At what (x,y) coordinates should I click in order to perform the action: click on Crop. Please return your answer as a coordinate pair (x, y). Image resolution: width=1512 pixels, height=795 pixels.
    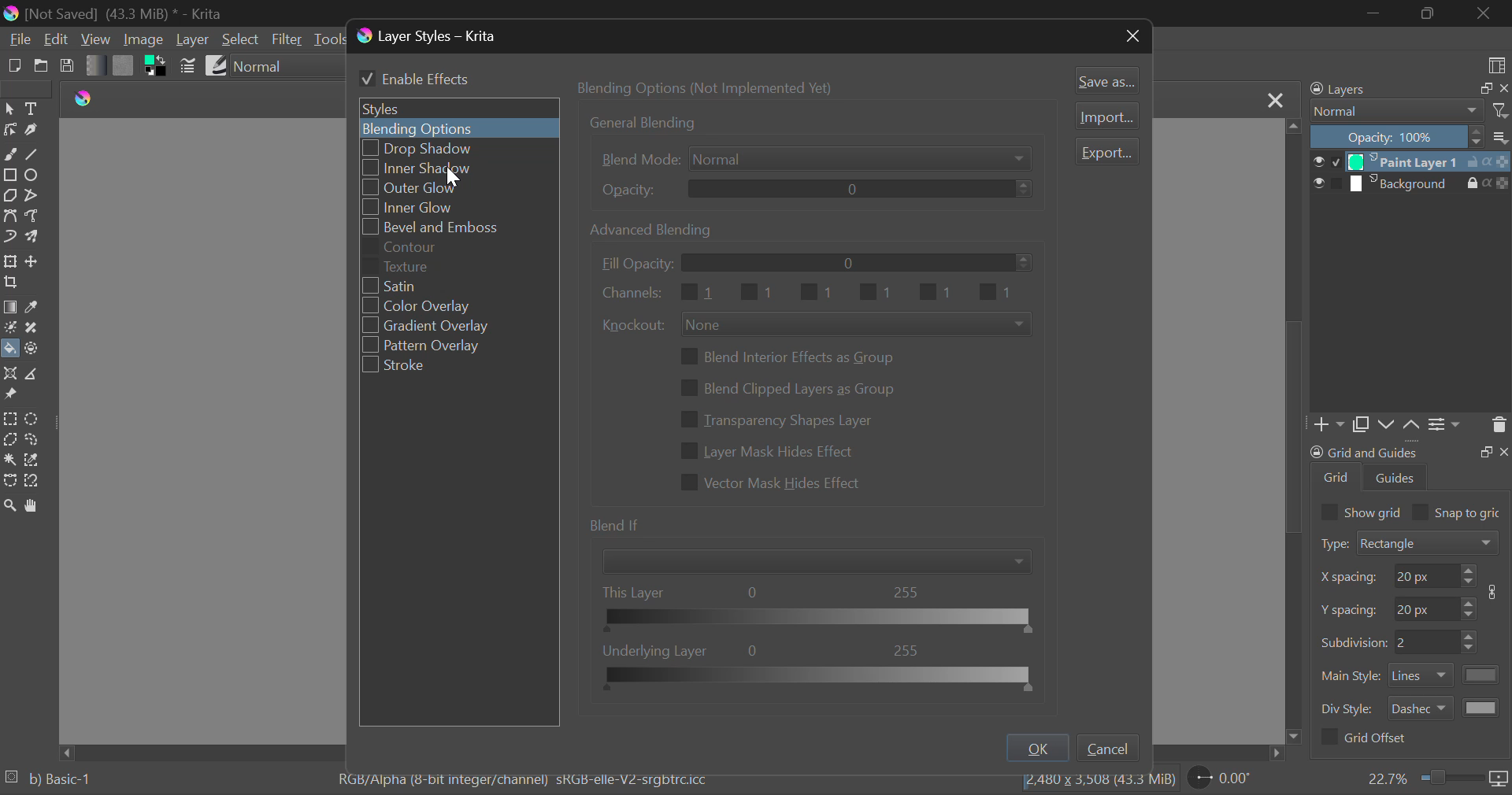
    Looking at the image, I should click on (9, 283).